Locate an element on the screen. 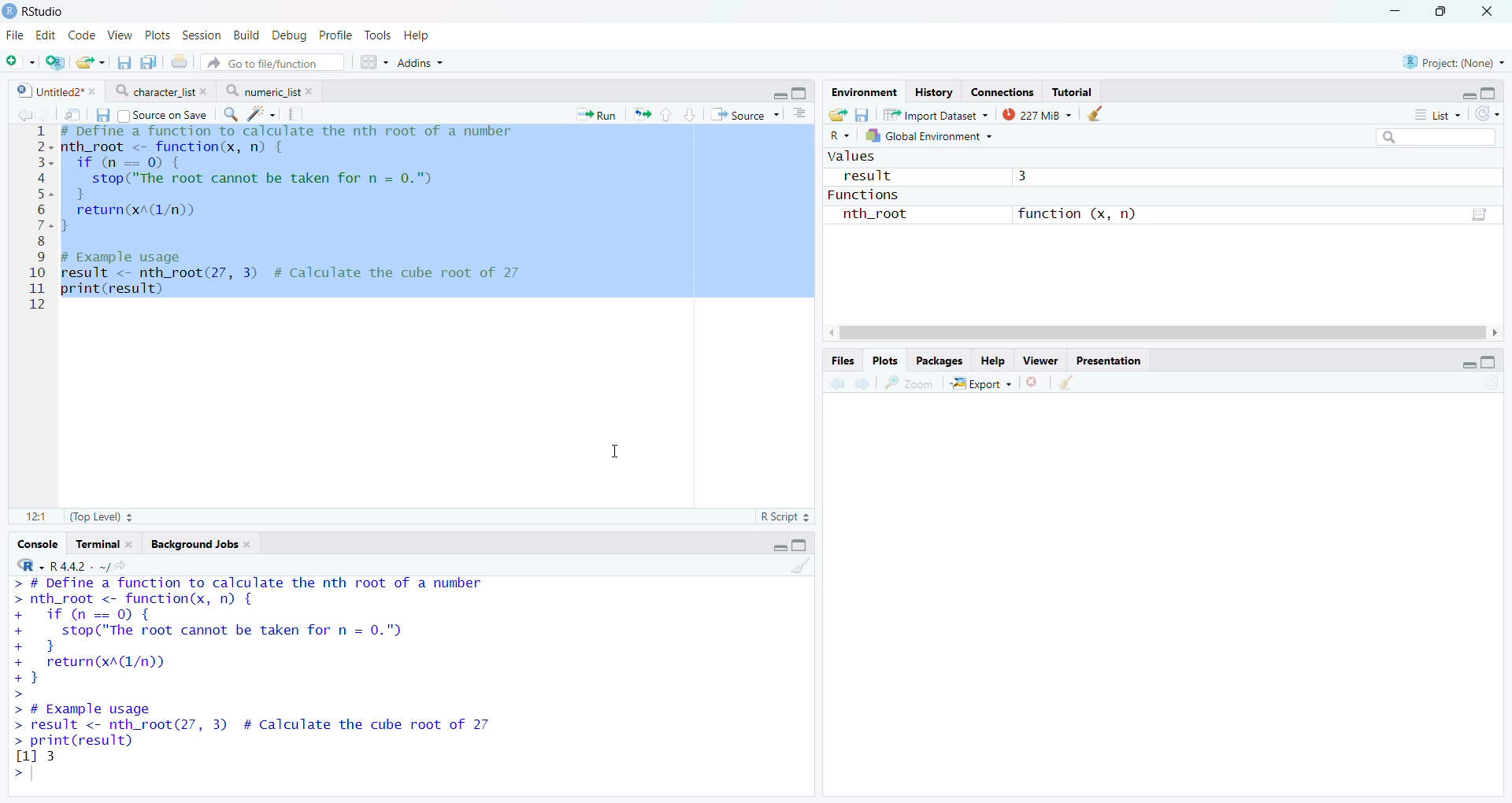  Go to previous source location is located at coordinates (23, 115).